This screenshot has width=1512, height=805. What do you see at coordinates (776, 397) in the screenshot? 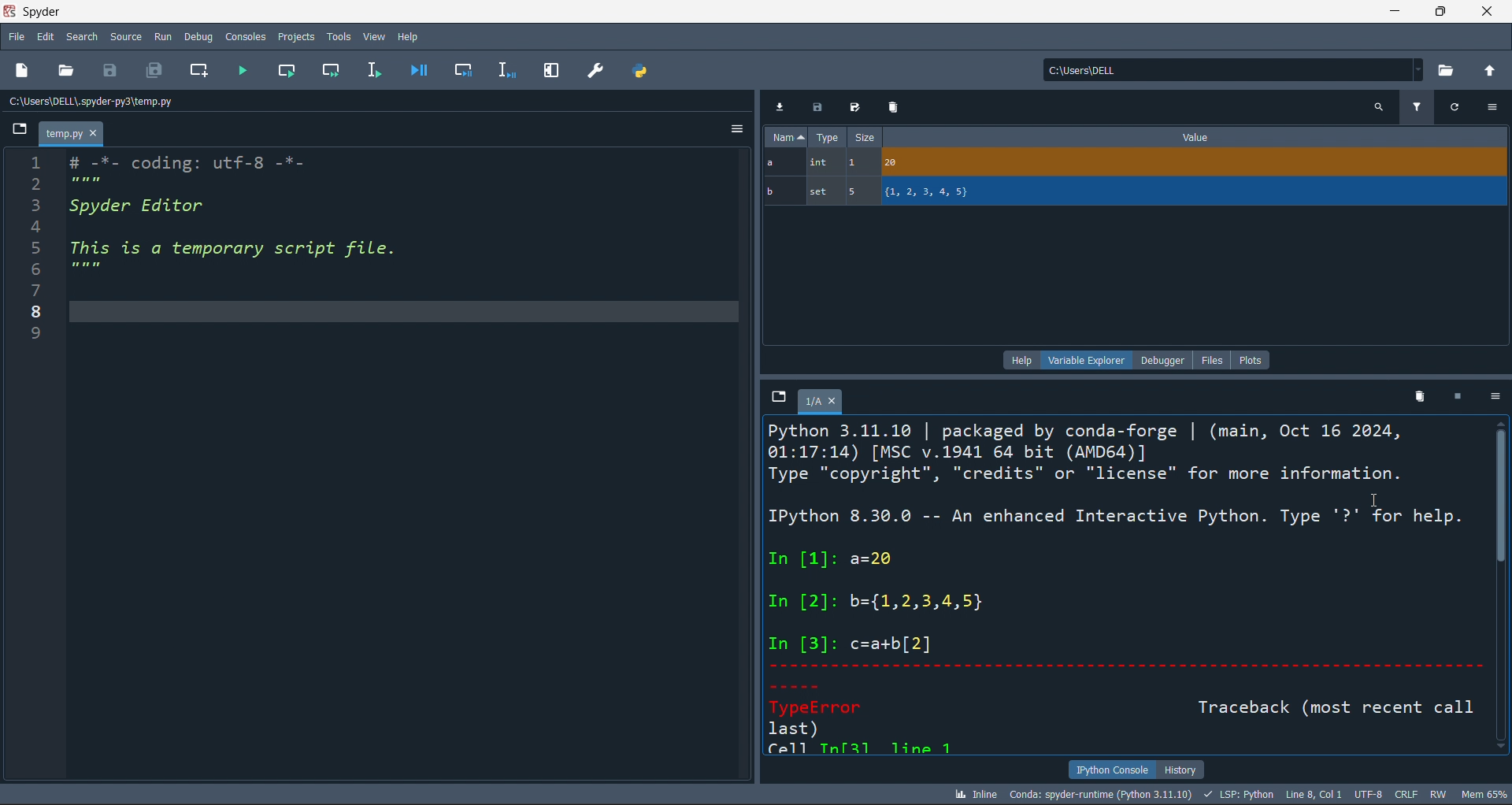
I see `browse tabs` at bounding box center [776, 397].